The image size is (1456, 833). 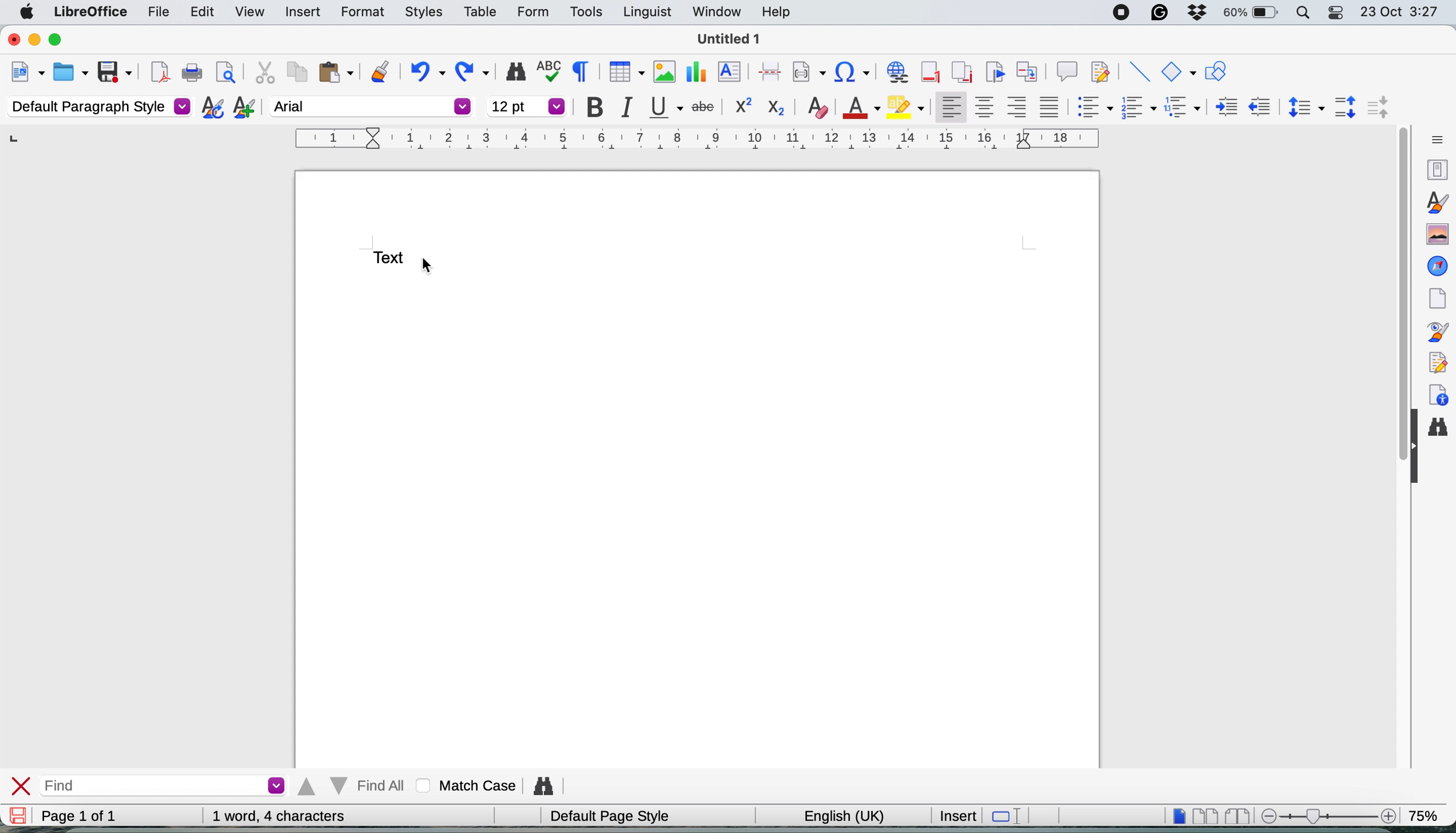 What do you see at coordinates (959, 73) in the screenshot?
I see `insert endnote` at bounding box center [959, 73].